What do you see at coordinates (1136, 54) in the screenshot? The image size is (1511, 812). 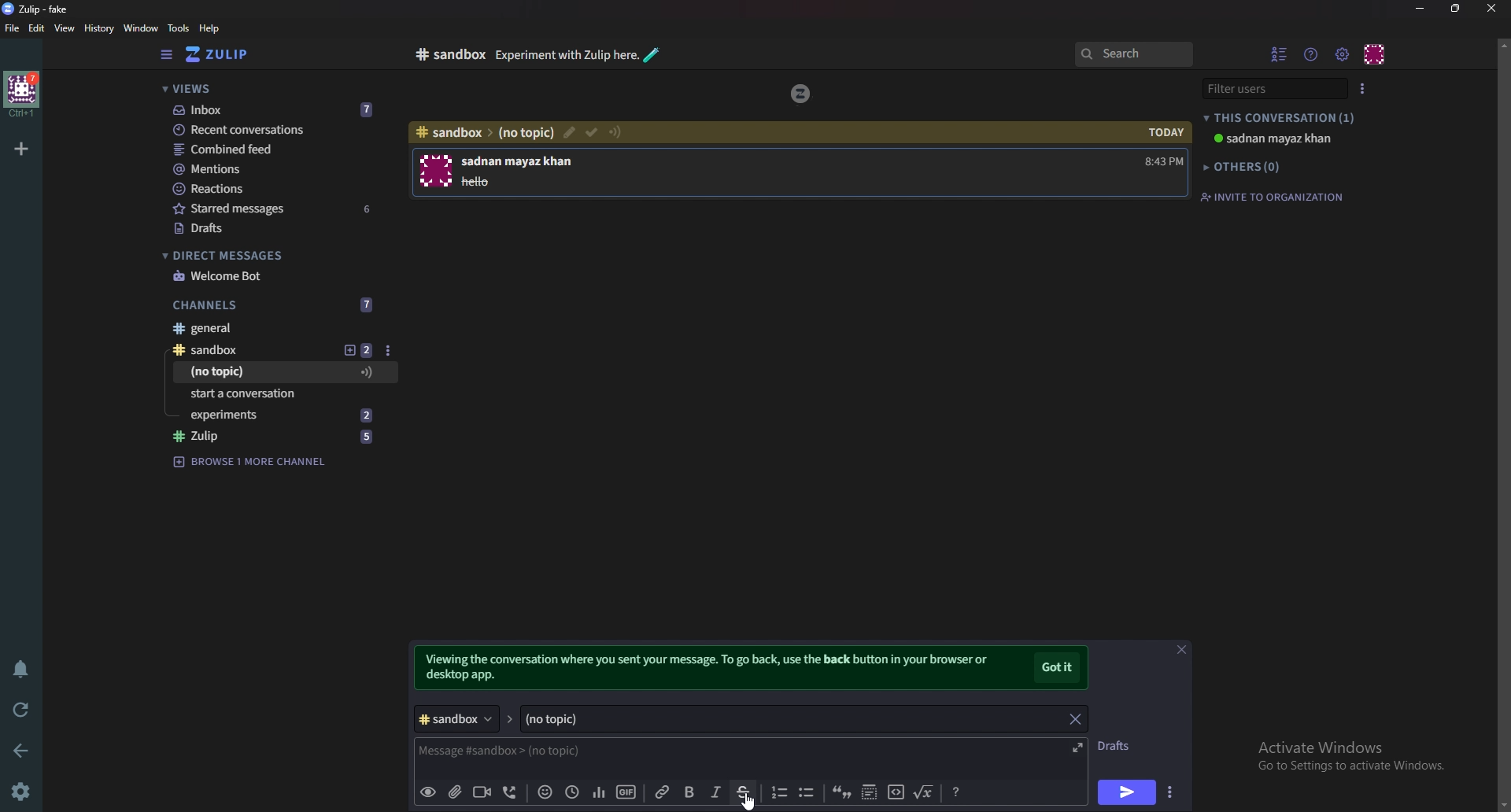 I see `Search` at bounding box center [1136, 54].